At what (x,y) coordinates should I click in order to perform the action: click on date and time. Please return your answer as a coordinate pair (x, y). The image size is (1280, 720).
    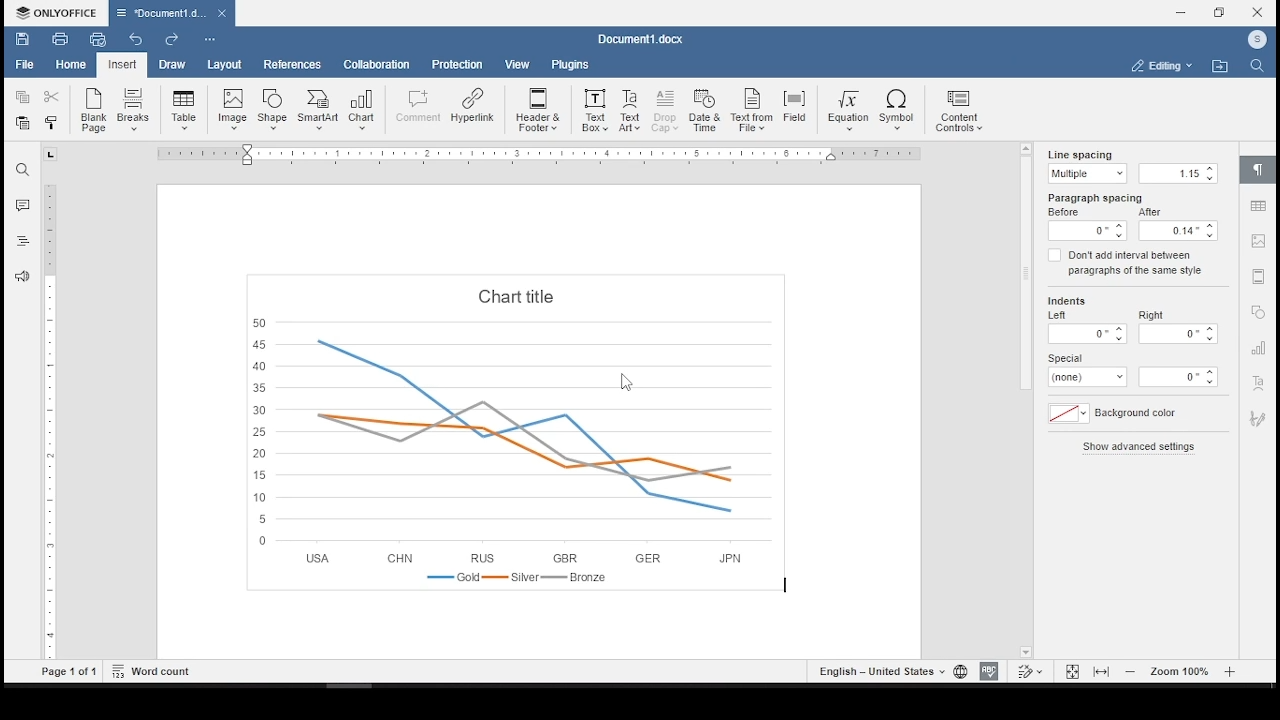
    Looking at the image, I should click on (706, 111).